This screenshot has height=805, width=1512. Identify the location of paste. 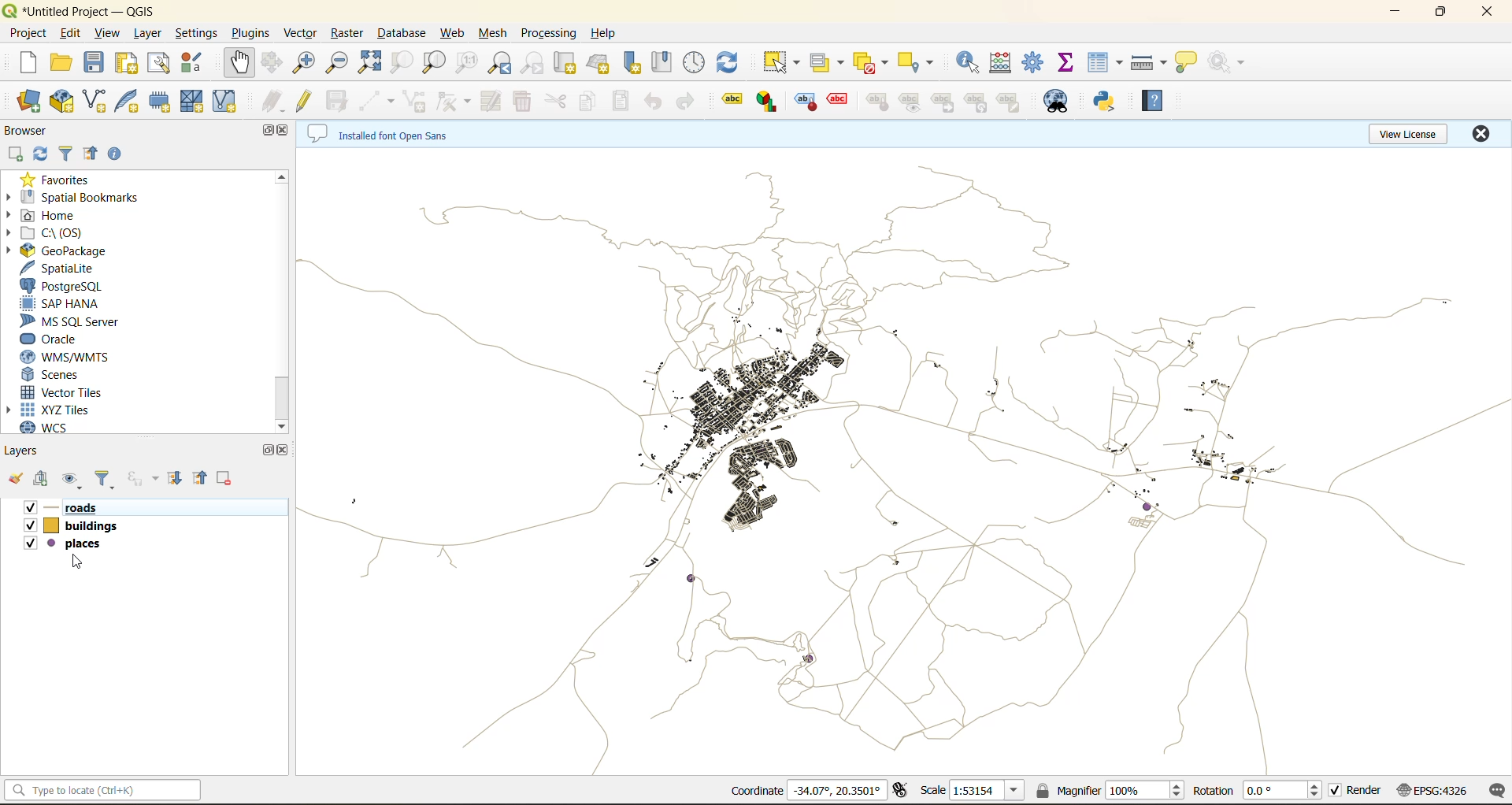
(624, 102).